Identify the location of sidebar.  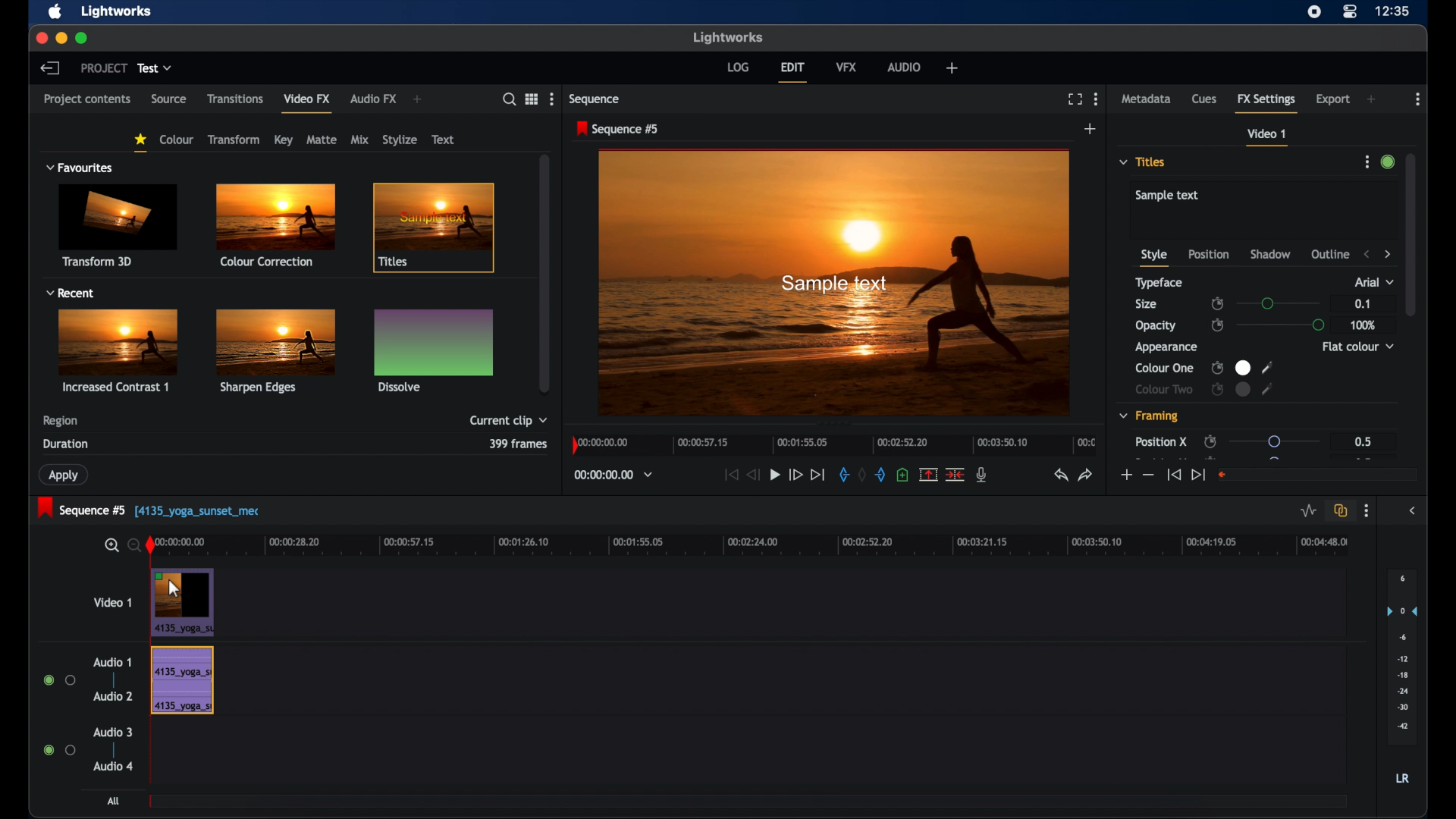
(1411, 510).